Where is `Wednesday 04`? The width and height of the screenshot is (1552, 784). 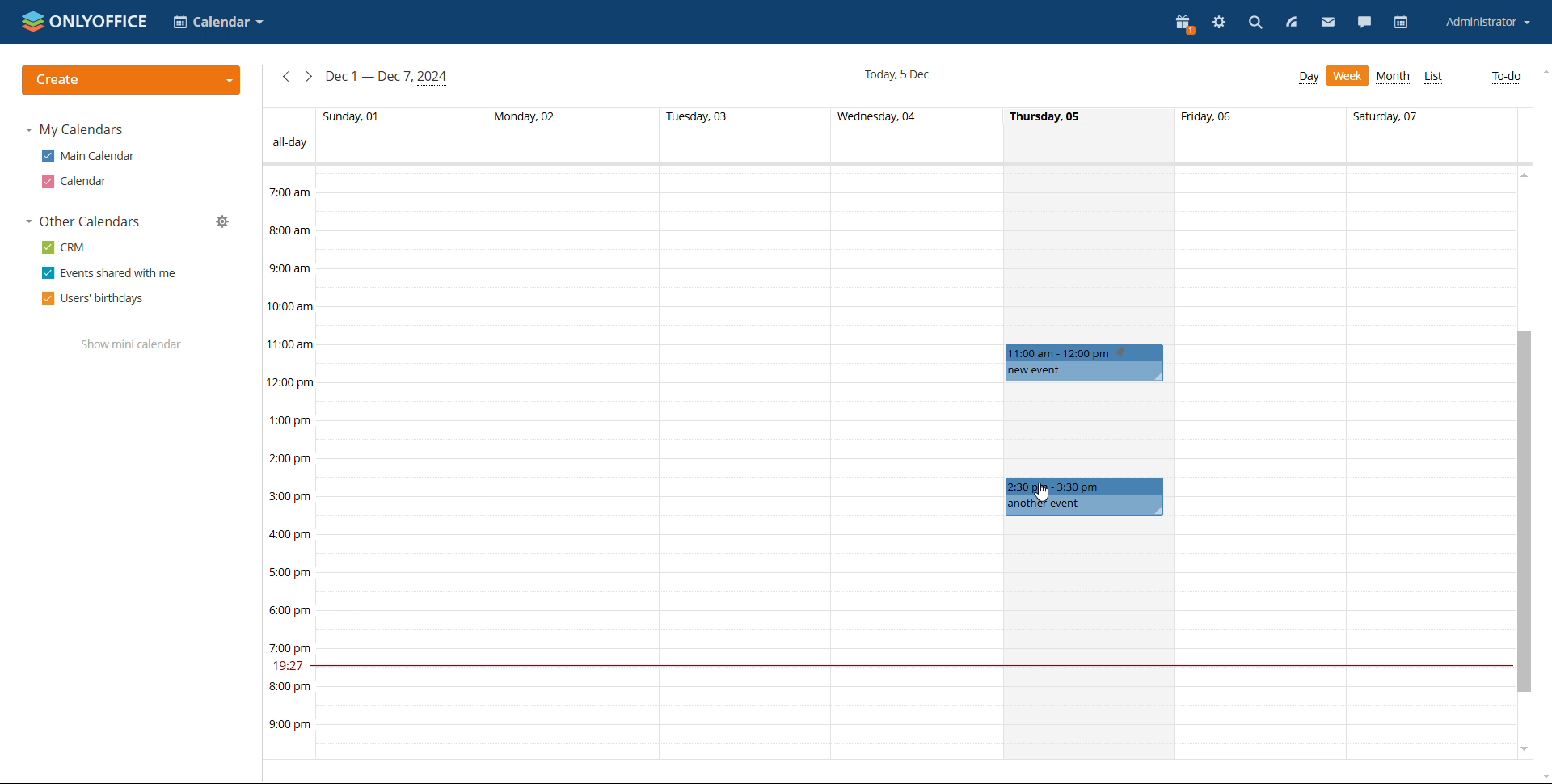 Wednesday 04 is located at coordinates (883, 116).